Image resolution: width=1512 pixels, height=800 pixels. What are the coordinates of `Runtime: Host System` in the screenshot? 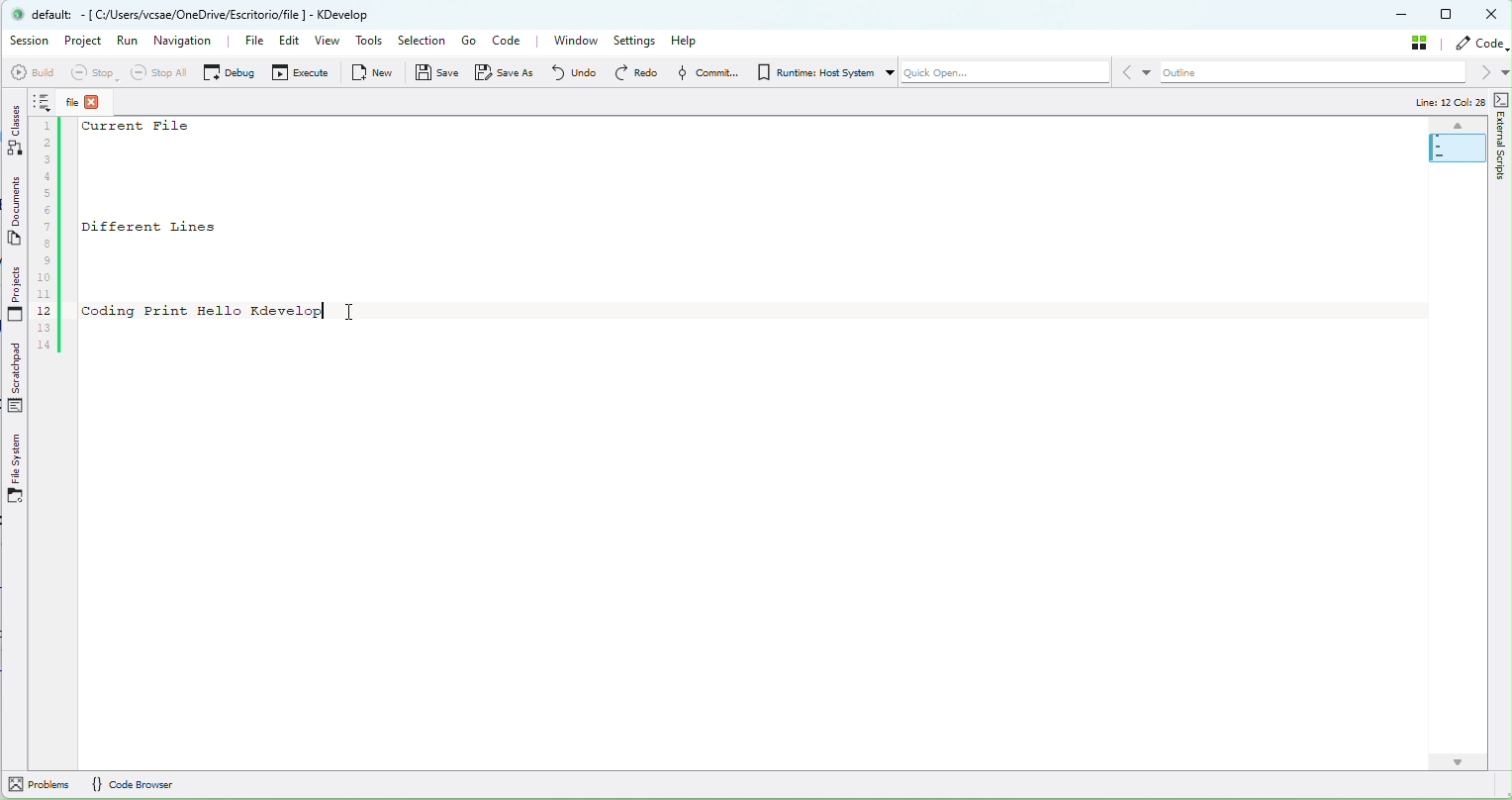 It's located at (813, 72).